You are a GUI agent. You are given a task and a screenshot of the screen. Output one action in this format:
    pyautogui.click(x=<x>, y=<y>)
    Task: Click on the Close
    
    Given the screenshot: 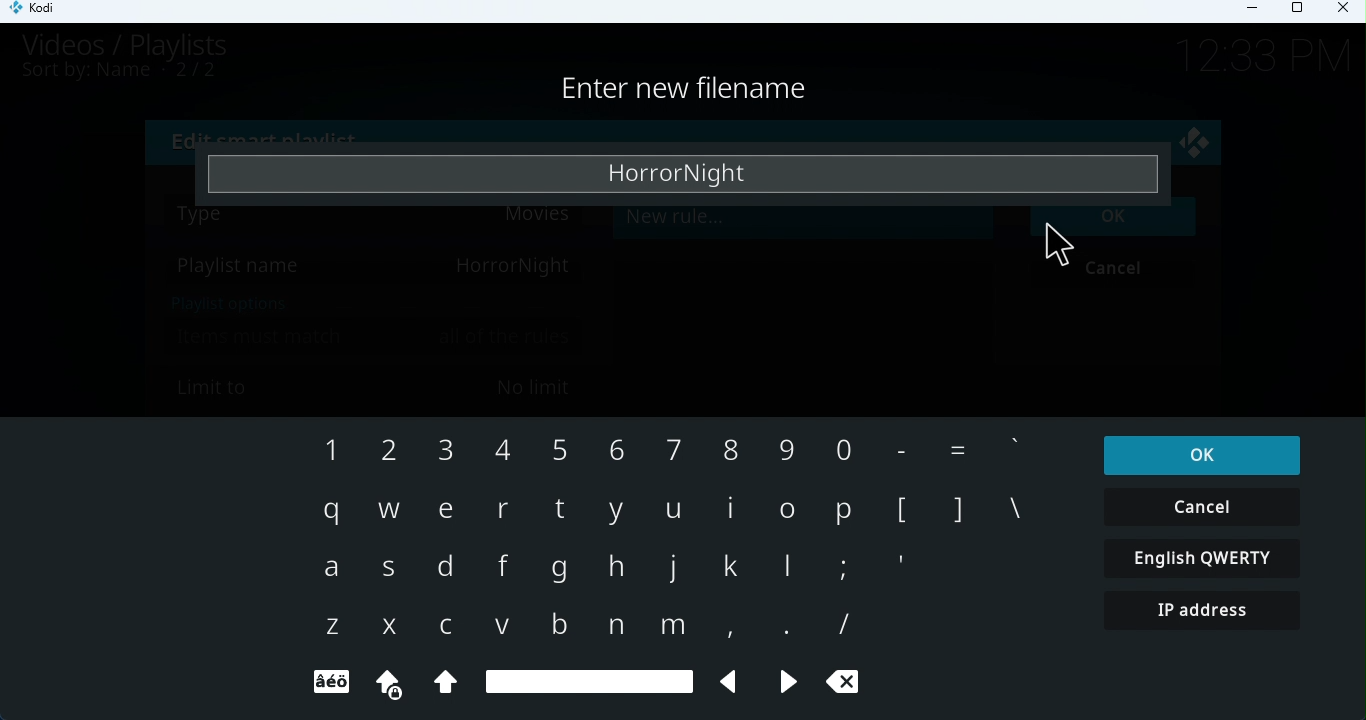 What is the action you would take?
    pyautogui.click(x=1346, y=12)
    